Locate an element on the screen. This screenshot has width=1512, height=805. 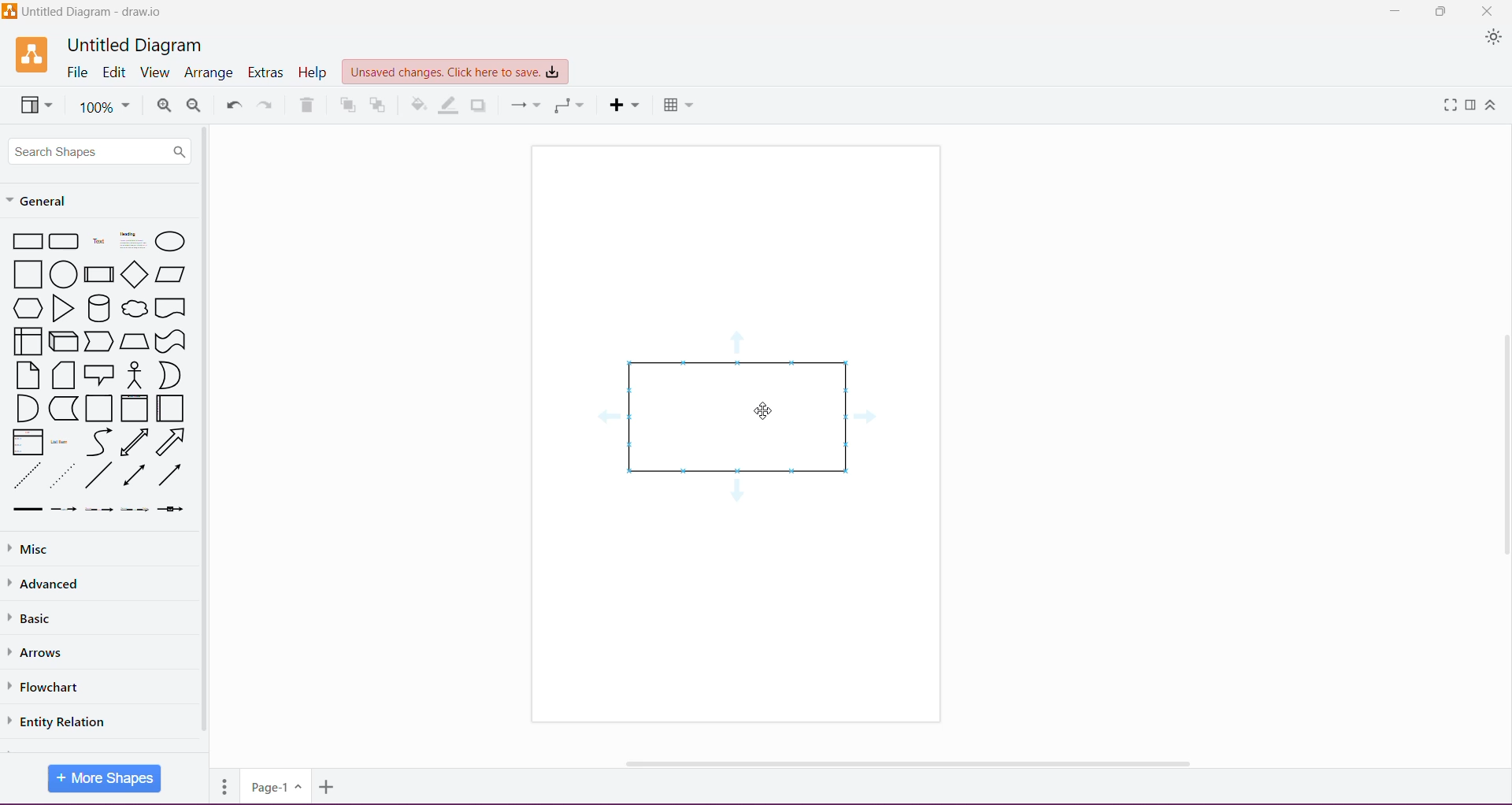
Redo is located at coordinates (268, 103).